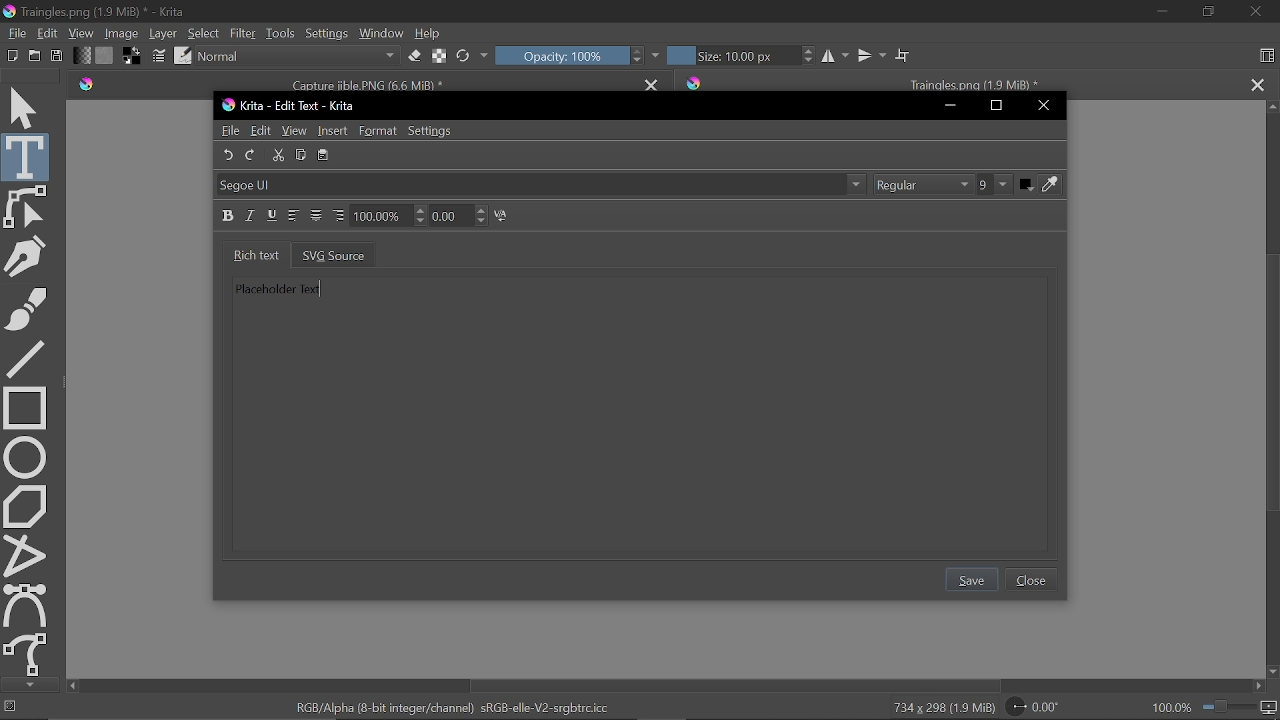 The height and width of the screenshot is (720, 1280). Describe the element at coordinates (1256, 11) in the screenshot. I see `Close` at that location.